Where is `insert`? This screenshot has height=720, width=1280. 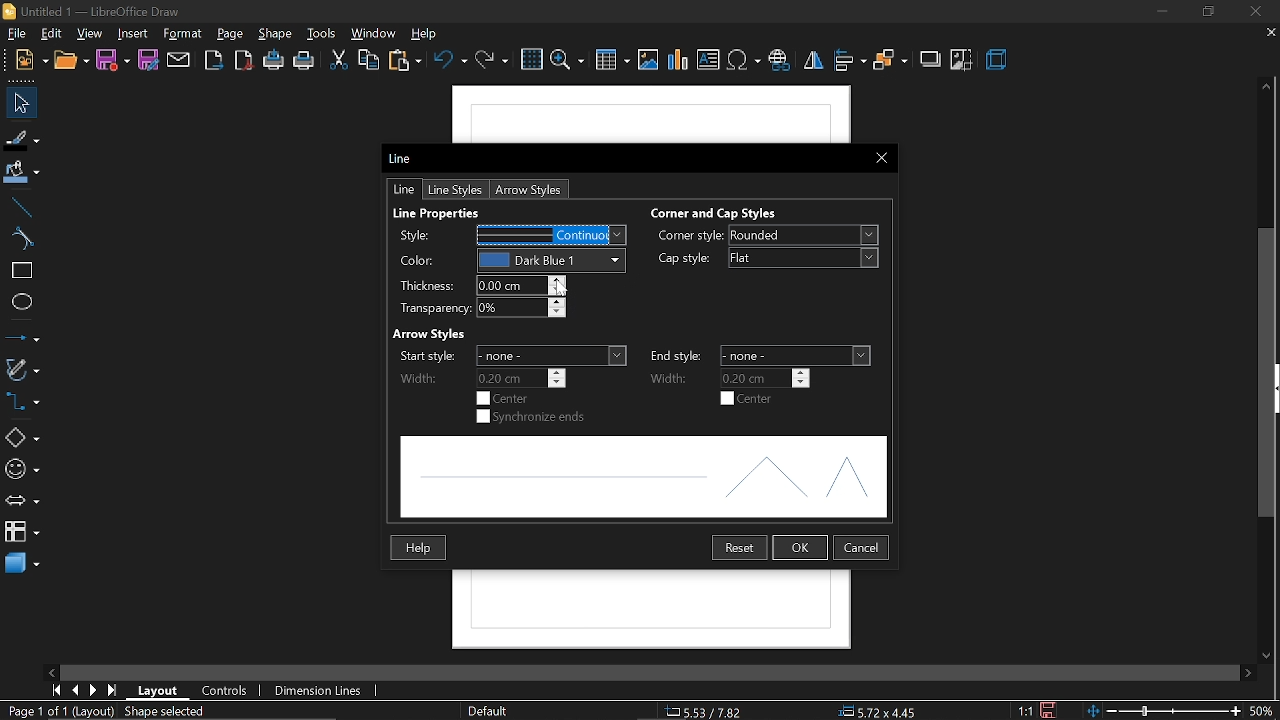 insert is located at coordinates (133, 33).